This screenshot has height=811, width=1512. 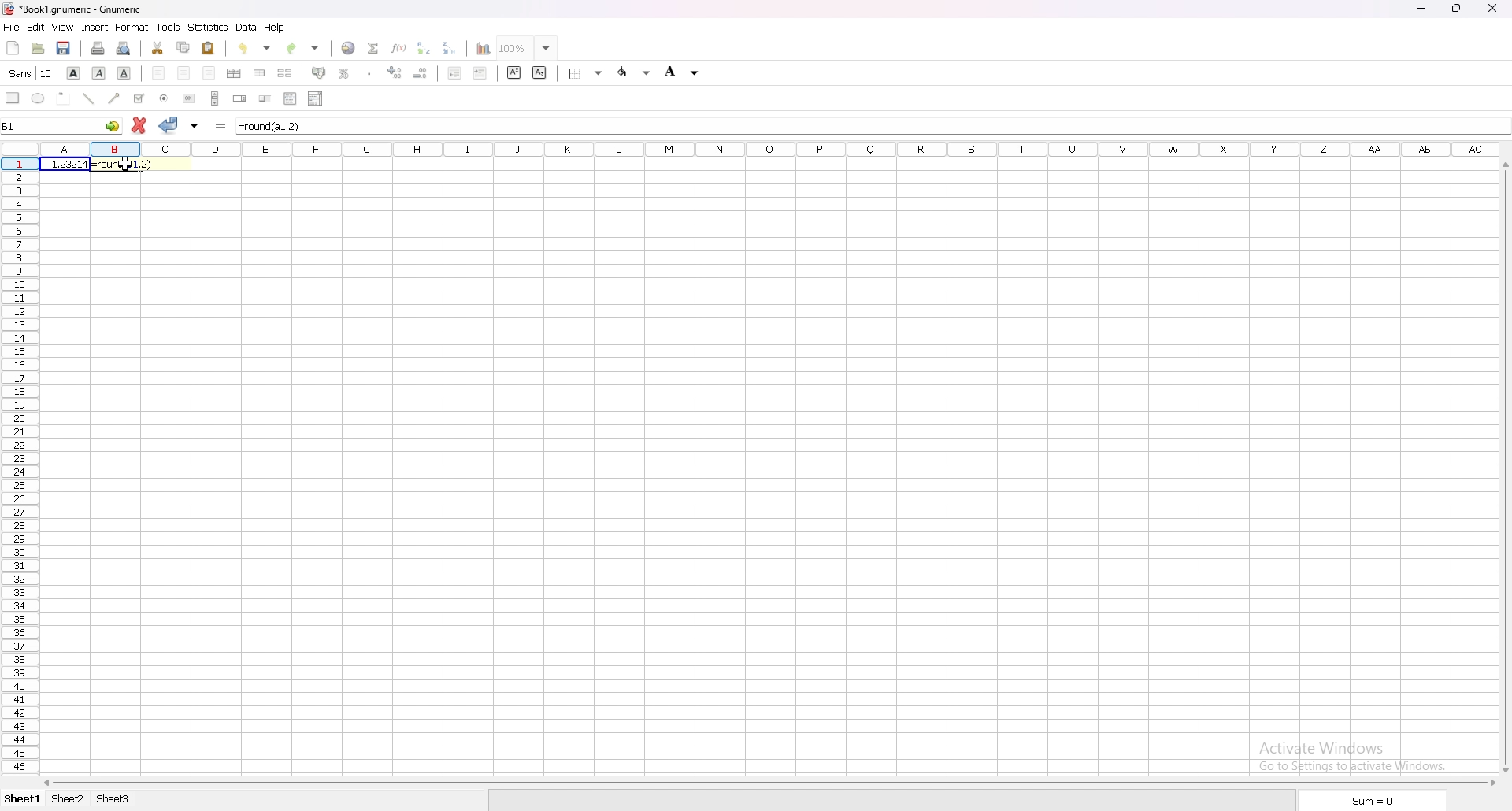 What do you see at coordinates (276, 28) in the screenshot?
I see `help` at bounding box center [276, 28].